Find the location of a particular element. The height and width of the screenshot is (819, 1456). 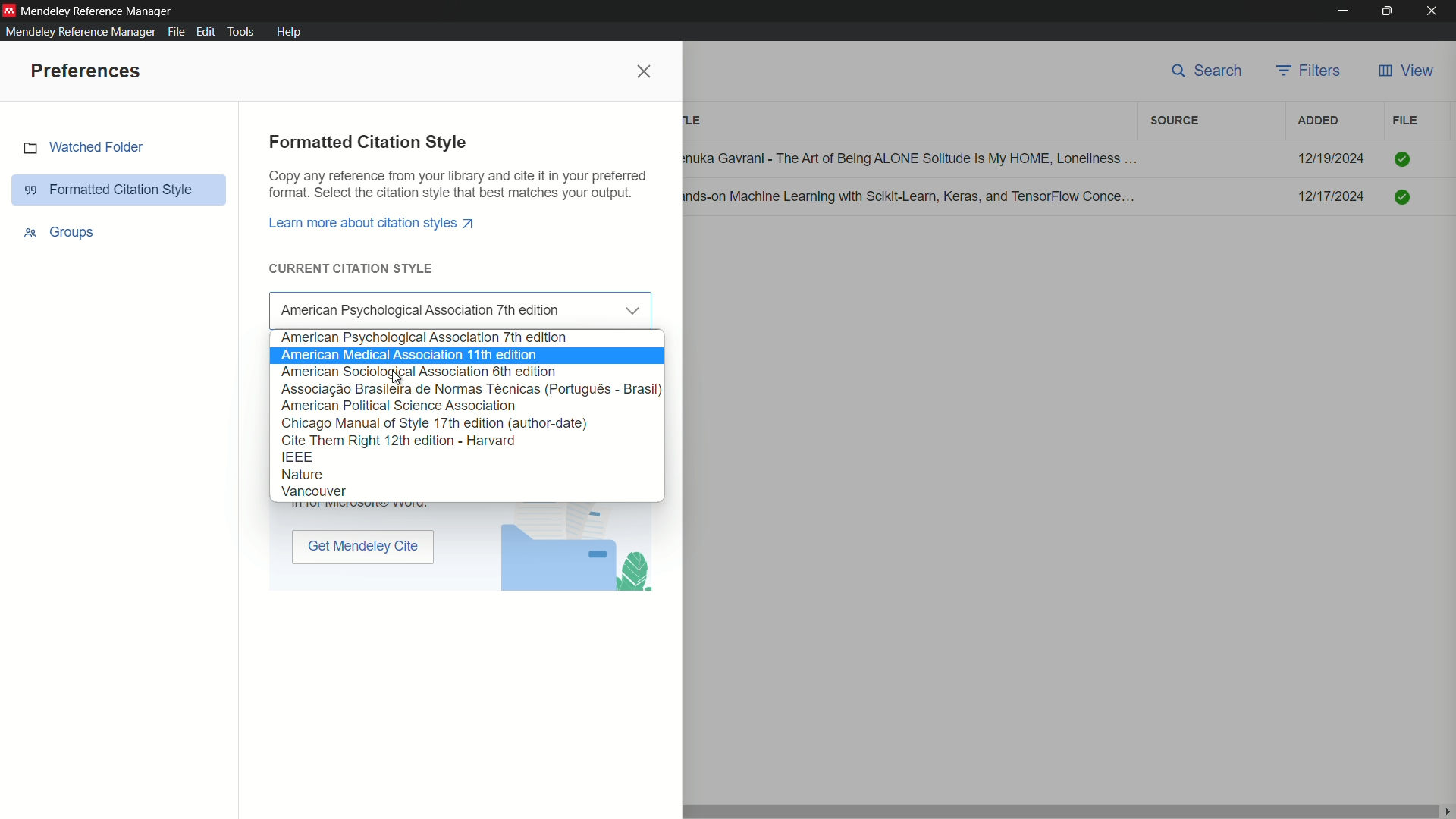

American Medical Association 11th Edition is located at coordinates (466, 357).